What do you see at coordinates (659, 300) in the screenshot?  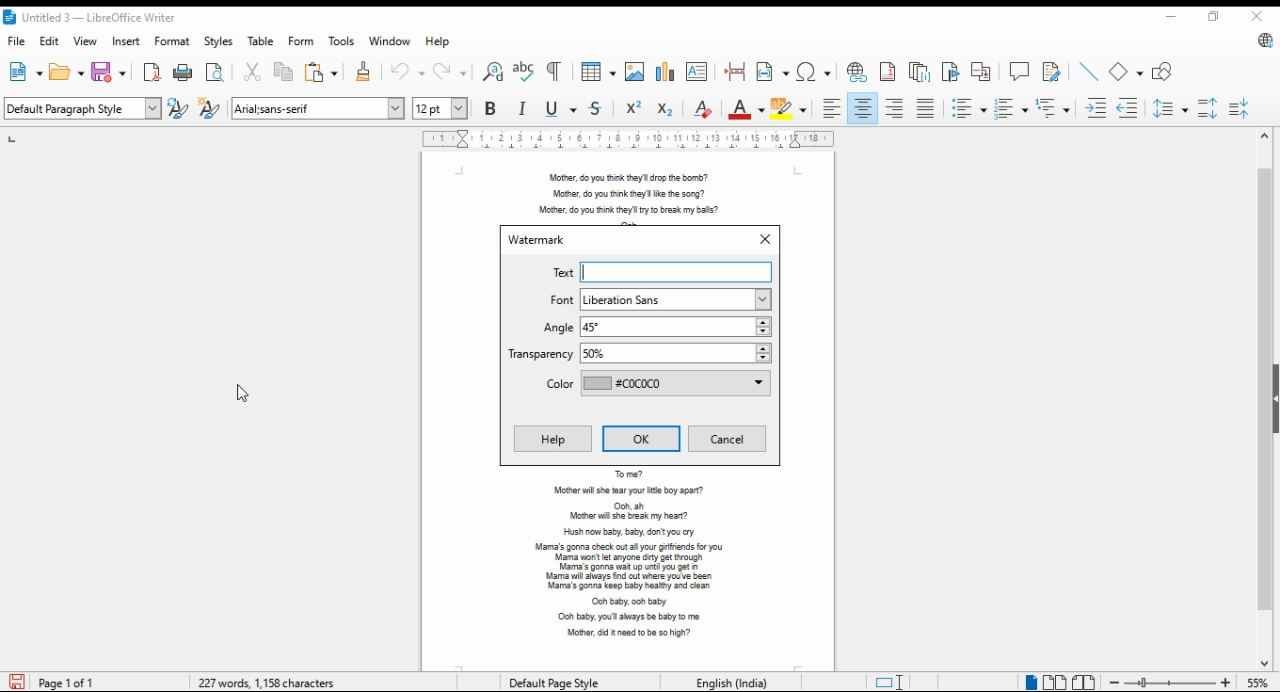 I see `font` at bounding box center [659, 300].